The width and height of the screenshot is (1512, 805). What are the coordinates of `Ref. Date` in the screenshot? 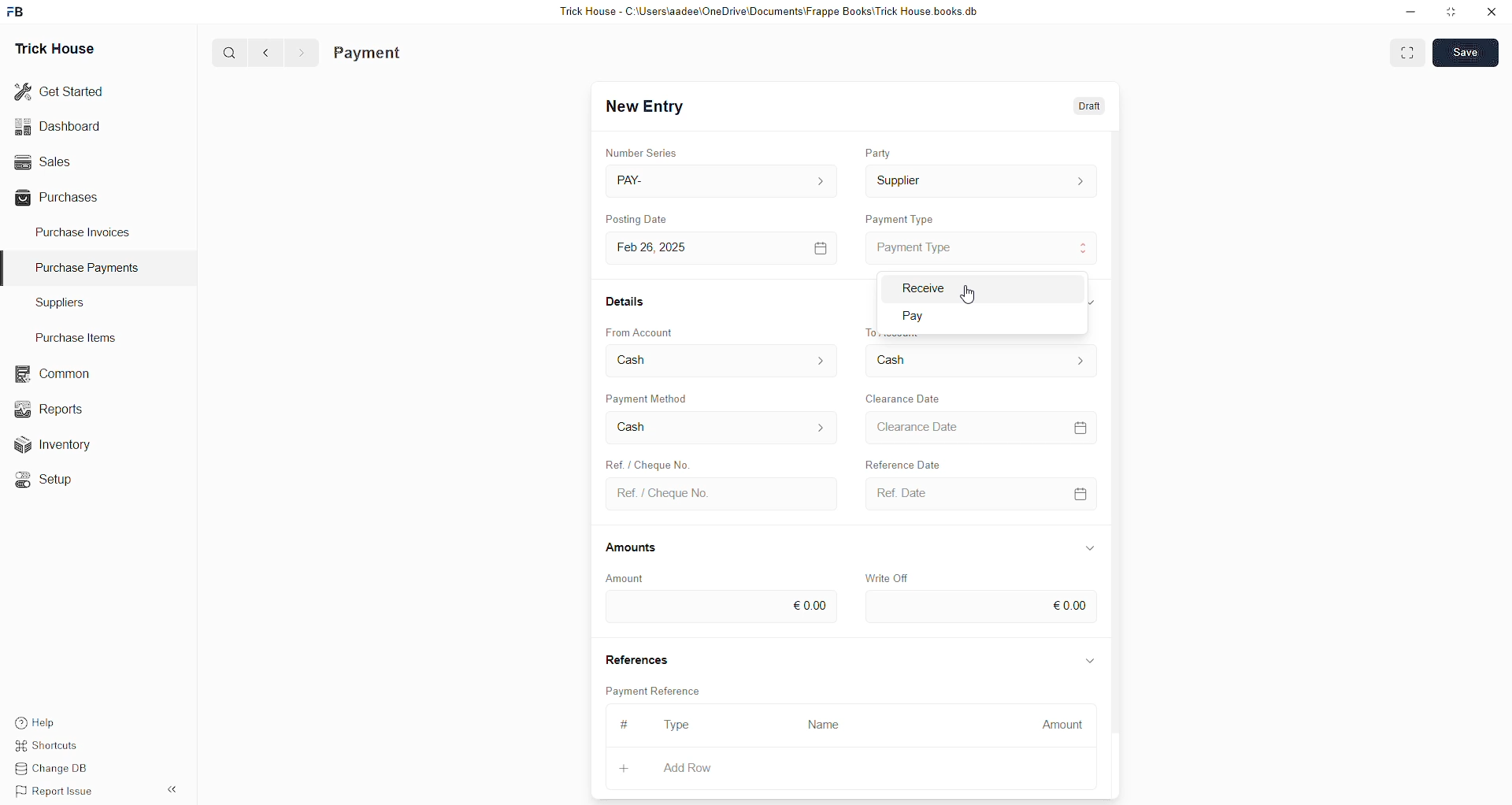 It's located at (976, 493).